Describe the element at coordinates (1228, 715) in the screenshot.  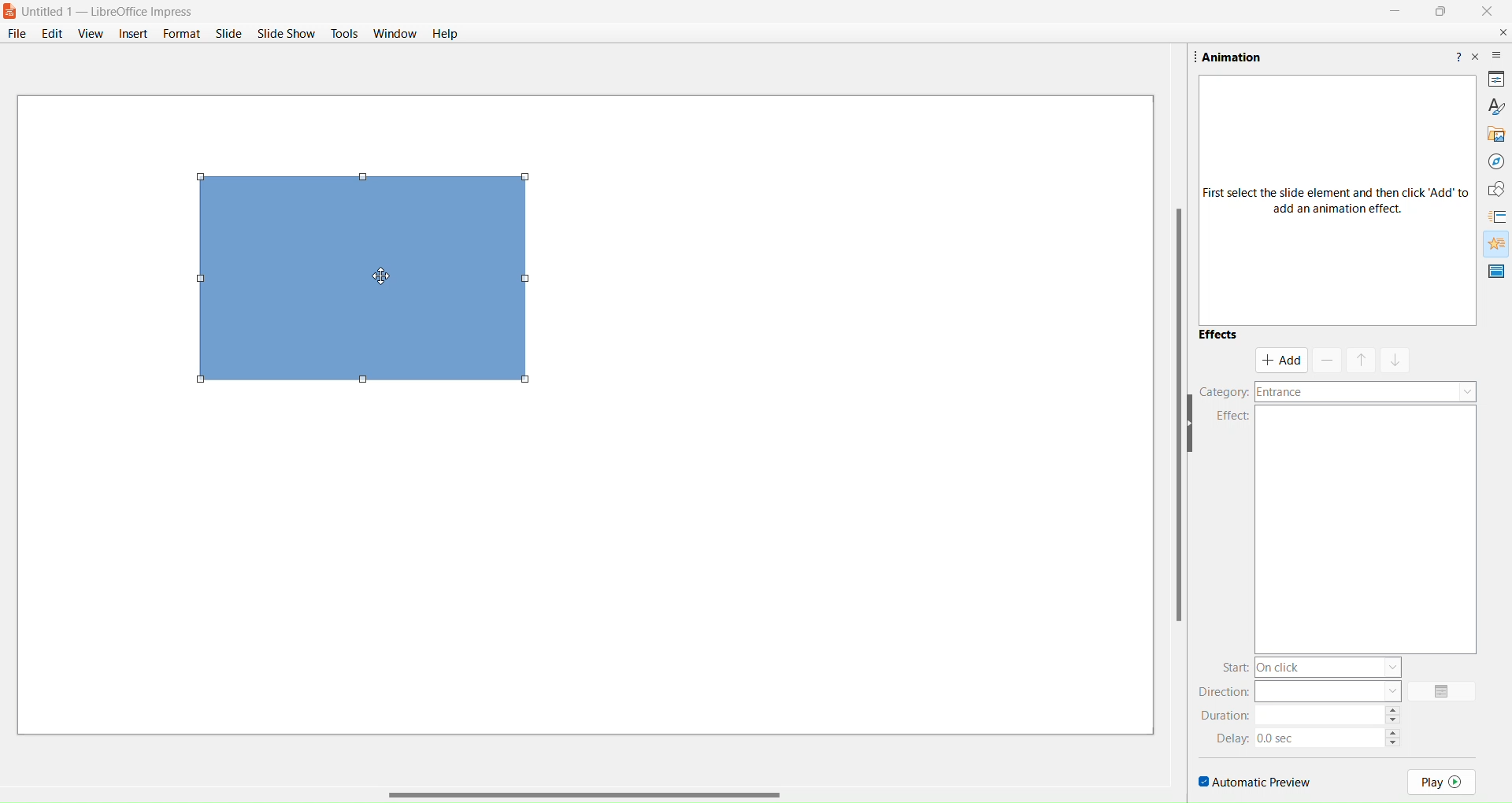
I see `duration` at that location.